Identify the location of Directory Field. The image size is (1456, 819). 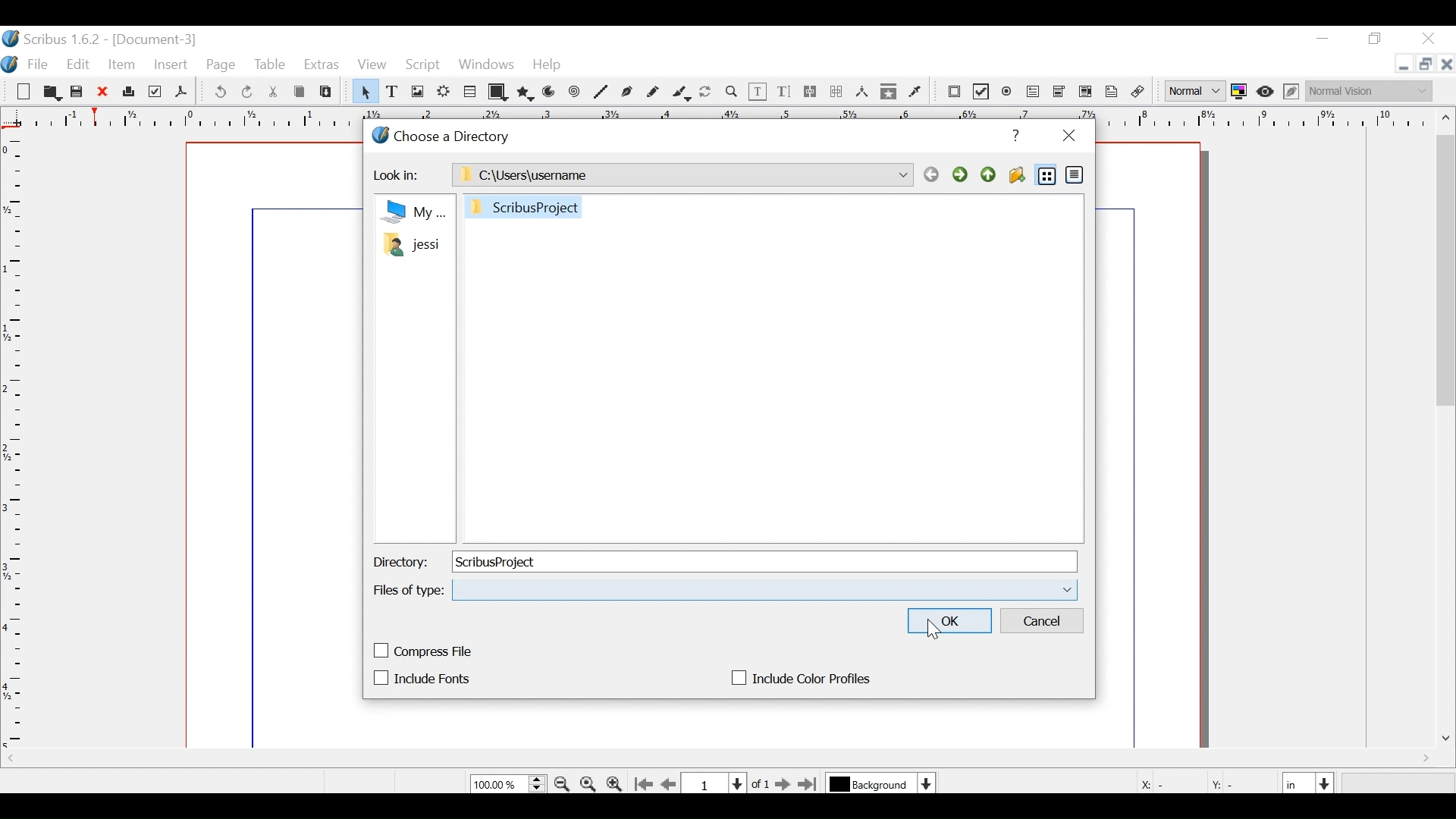
(764, 561).